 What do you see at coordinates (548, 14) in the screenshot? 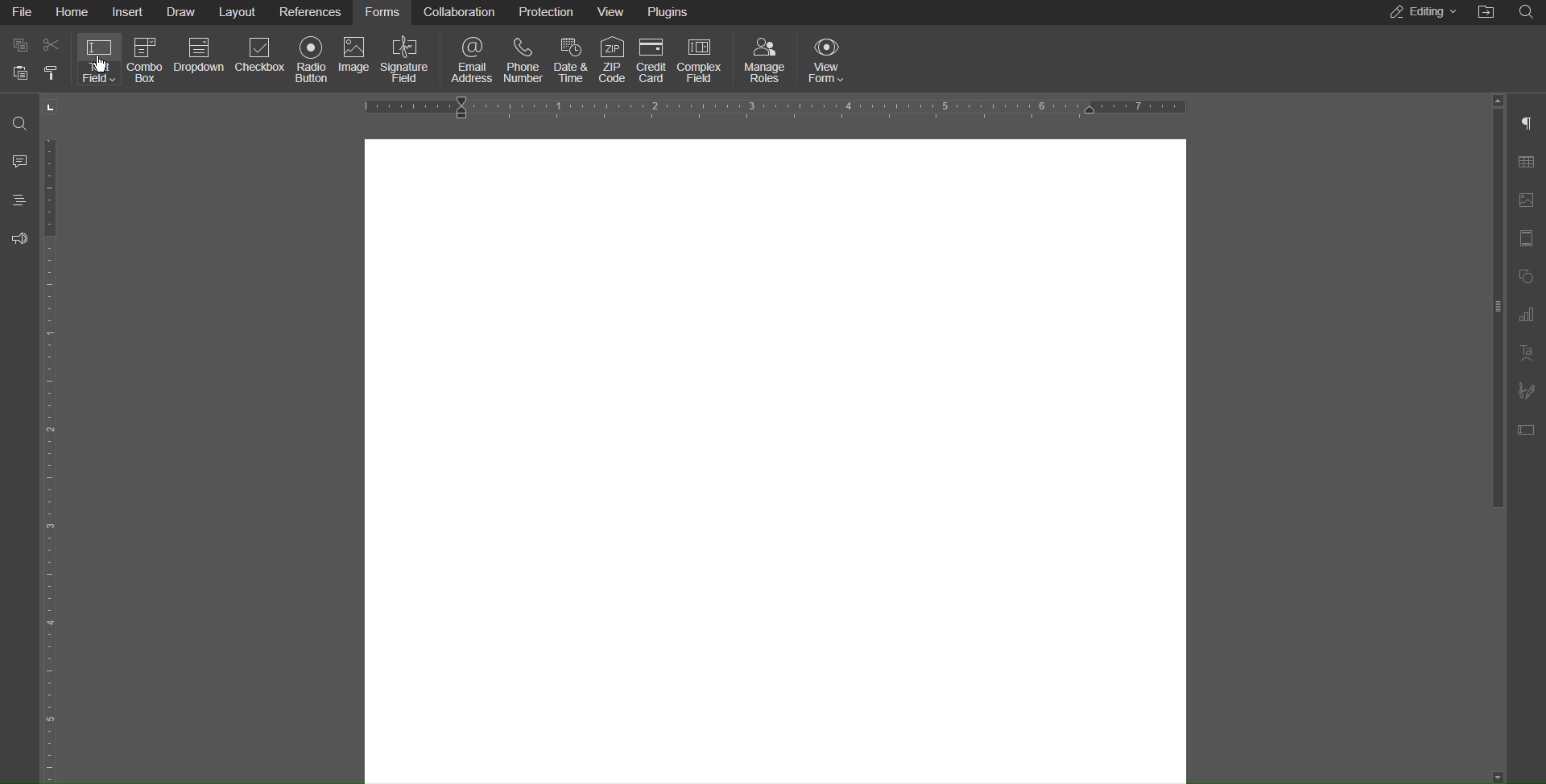
I see `Protection` at bounding box center [548, 14].